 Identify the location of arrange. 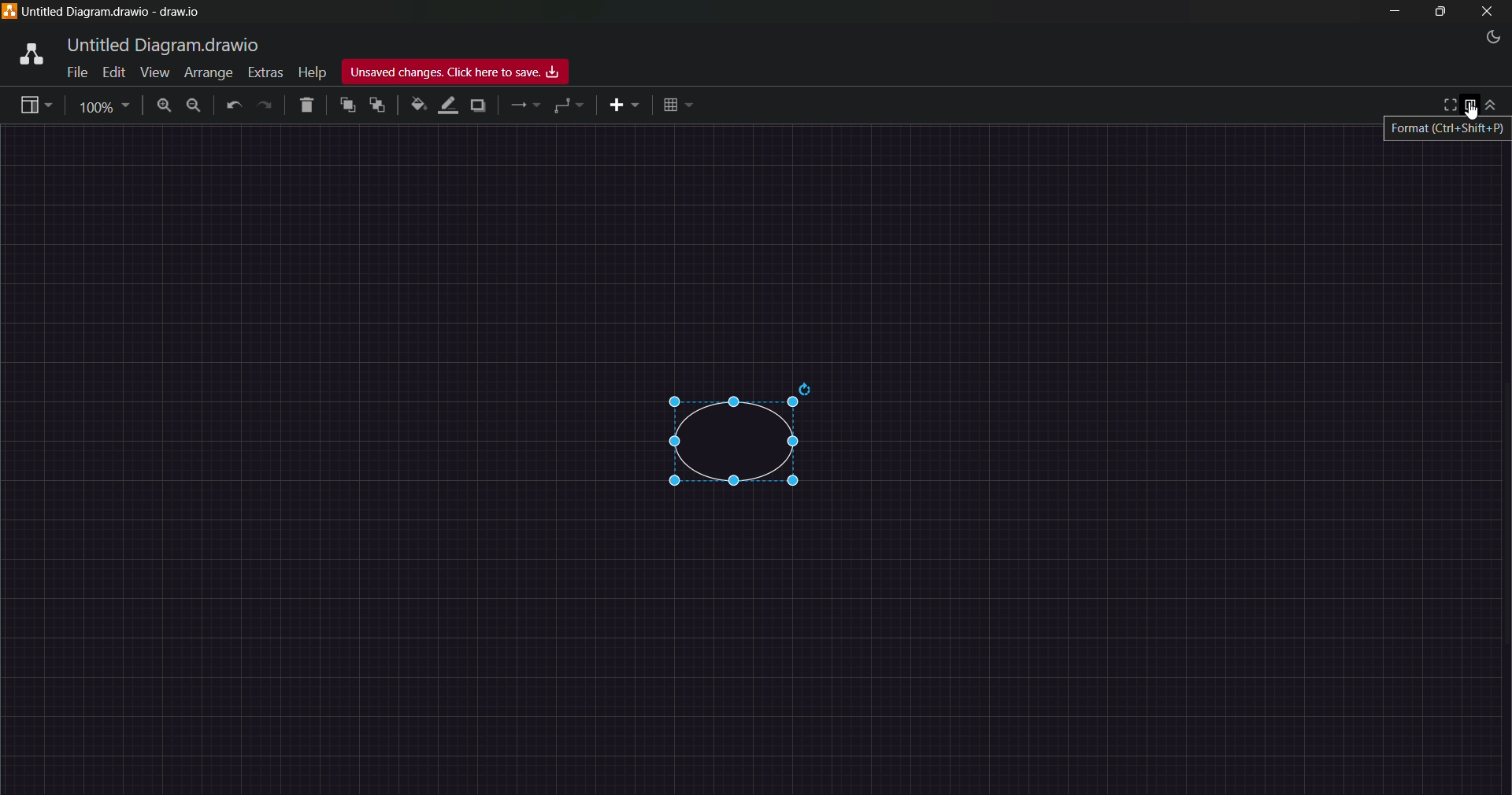
(209, 72).